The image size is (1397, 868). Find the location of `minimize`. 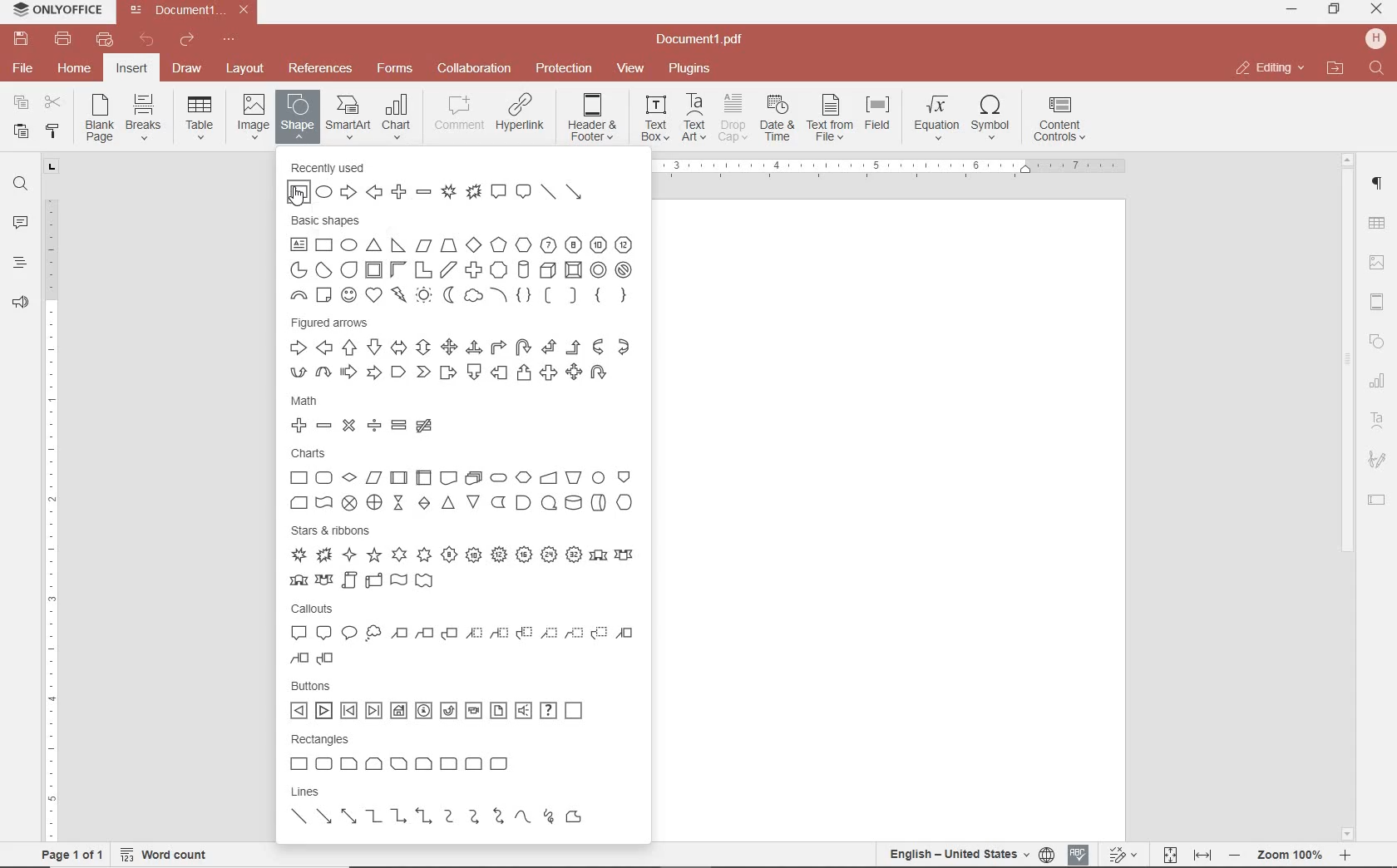

minimize is located at coordinates (1293, 9).